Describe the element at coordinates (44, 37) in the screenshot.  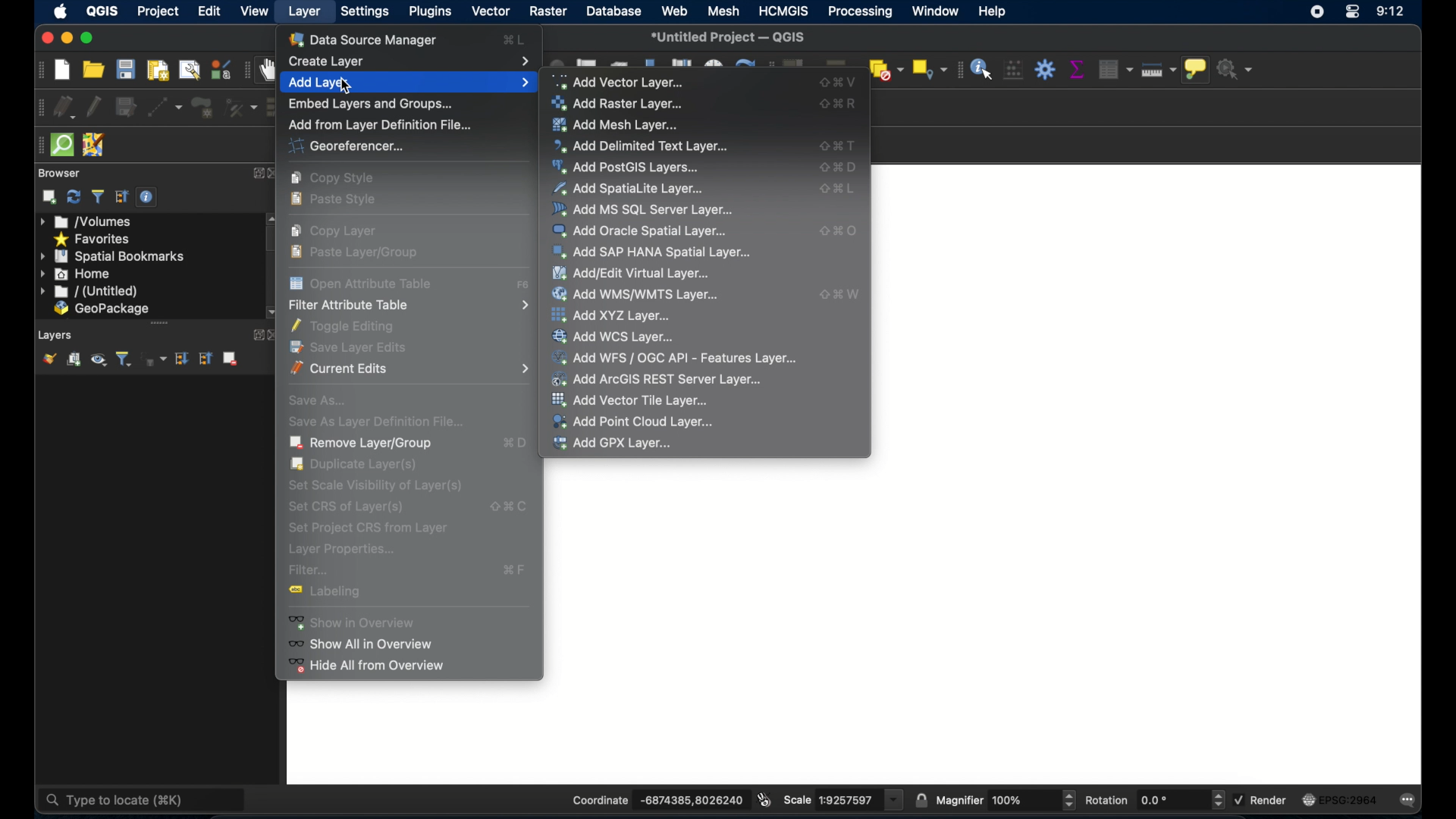
I see `close` at that location.